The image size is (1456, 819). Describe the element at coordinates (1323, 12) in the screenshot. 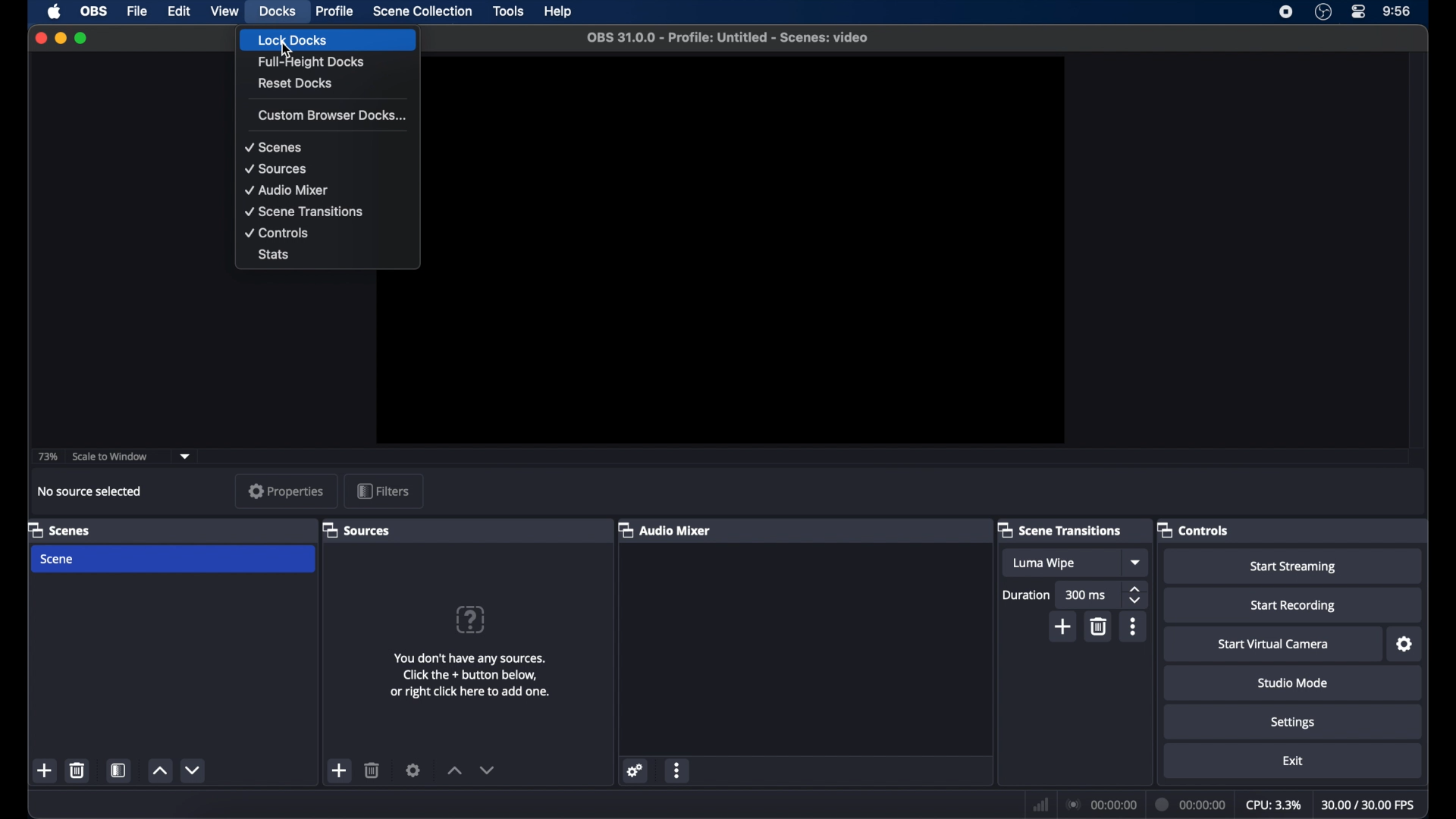

I see `obs studio` at that location.